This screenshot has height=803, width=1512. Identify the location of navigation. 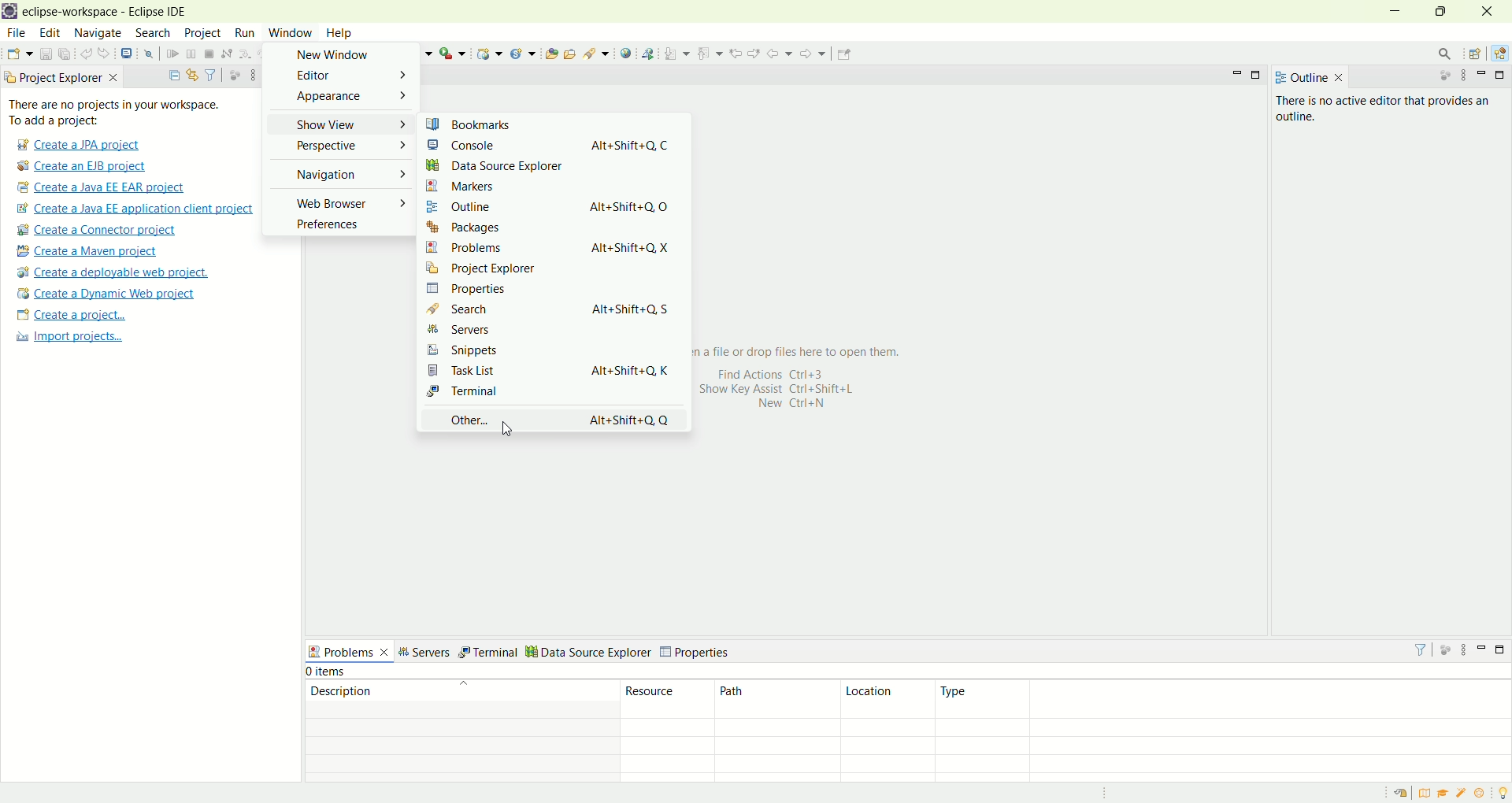
(339, 172).